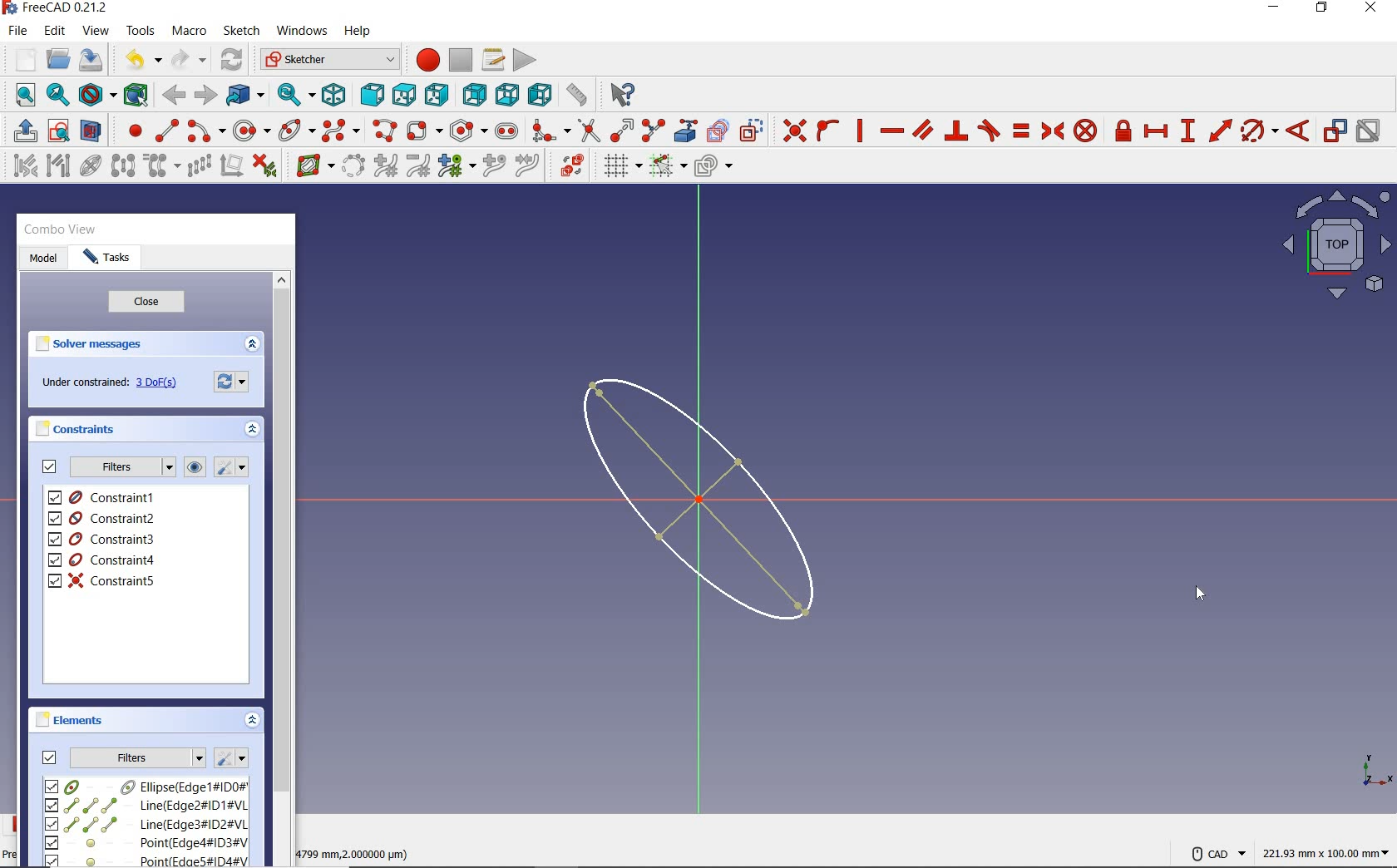 The height and width of the screenshot is (868, 1397). What do you see at coordinates (469, 131) in the screenshot?
I see `create regular polygon` at bounding box center [469, 131].